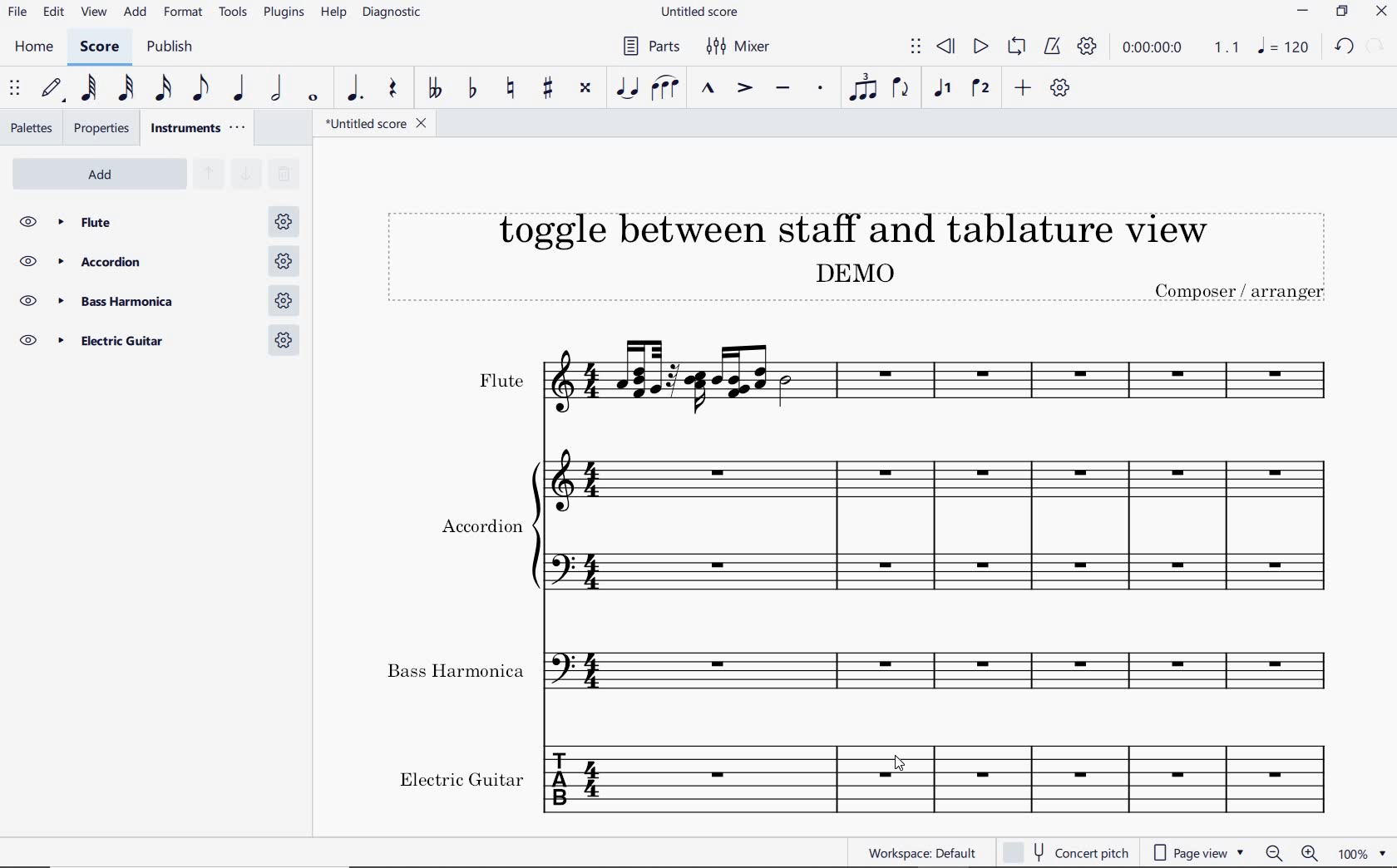 Image resolution: width=1397 pixels, height=868 pixels. Describe the element at coordinates (1284, 49) in the screenshot. I see `NOTE` at that location.